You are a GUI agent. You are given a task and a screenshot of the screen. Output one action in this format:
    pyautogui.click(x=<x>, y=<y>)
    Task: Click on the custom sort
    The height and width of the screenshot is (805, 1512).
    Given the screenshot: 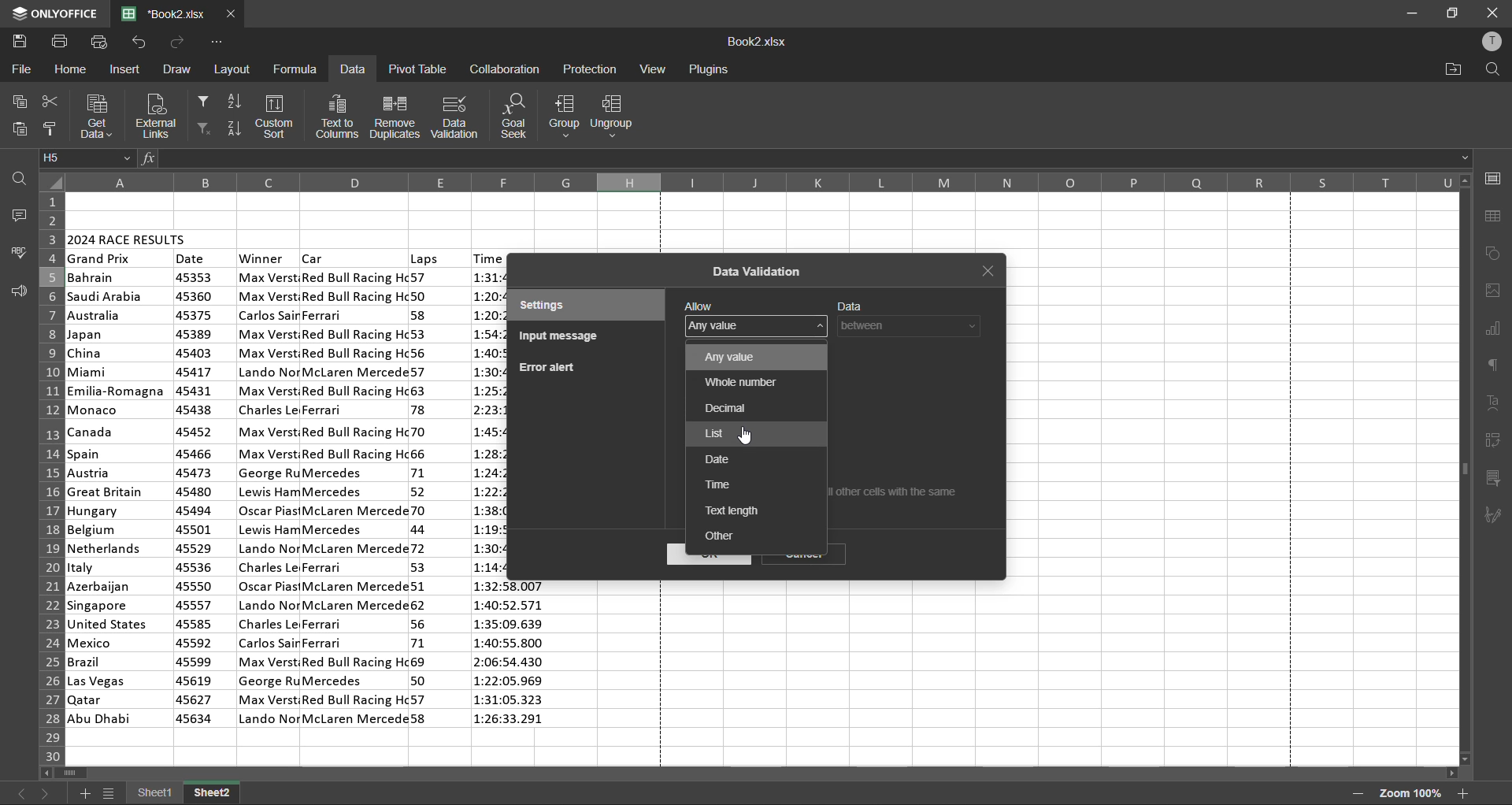 What is the action you would take?
    pyautogui.click(x=278, y=117)
    